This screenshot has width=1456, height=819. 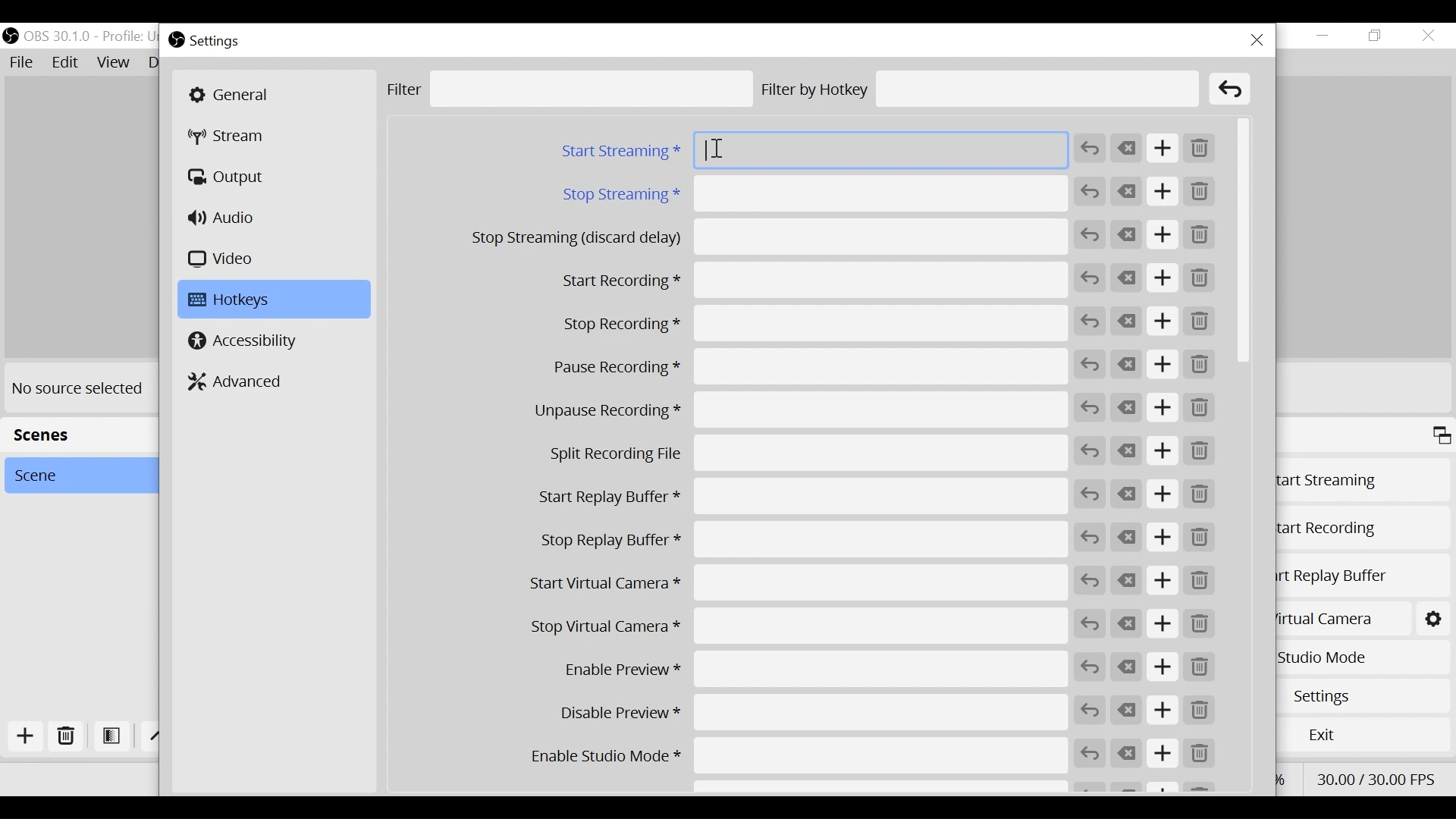 I want to click on Stream, so click(x=231, y=136).